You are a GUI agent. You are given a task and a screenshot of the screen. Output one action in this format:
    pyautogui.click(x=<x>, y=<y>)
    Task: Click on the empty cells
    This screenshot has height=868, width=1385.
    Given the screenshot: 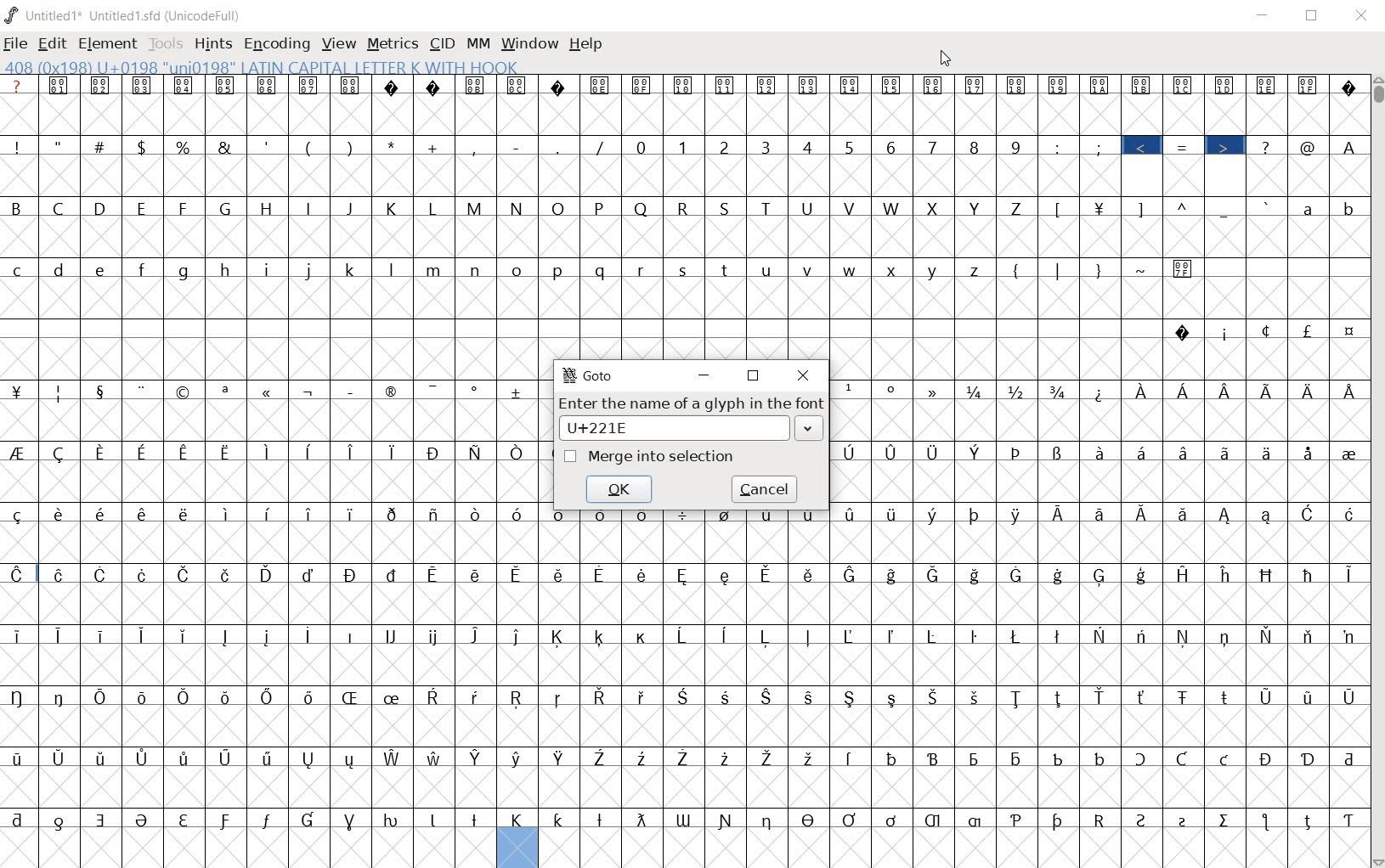 What is the action you would take?
    pyautogui.click(x=248, y=850)
    